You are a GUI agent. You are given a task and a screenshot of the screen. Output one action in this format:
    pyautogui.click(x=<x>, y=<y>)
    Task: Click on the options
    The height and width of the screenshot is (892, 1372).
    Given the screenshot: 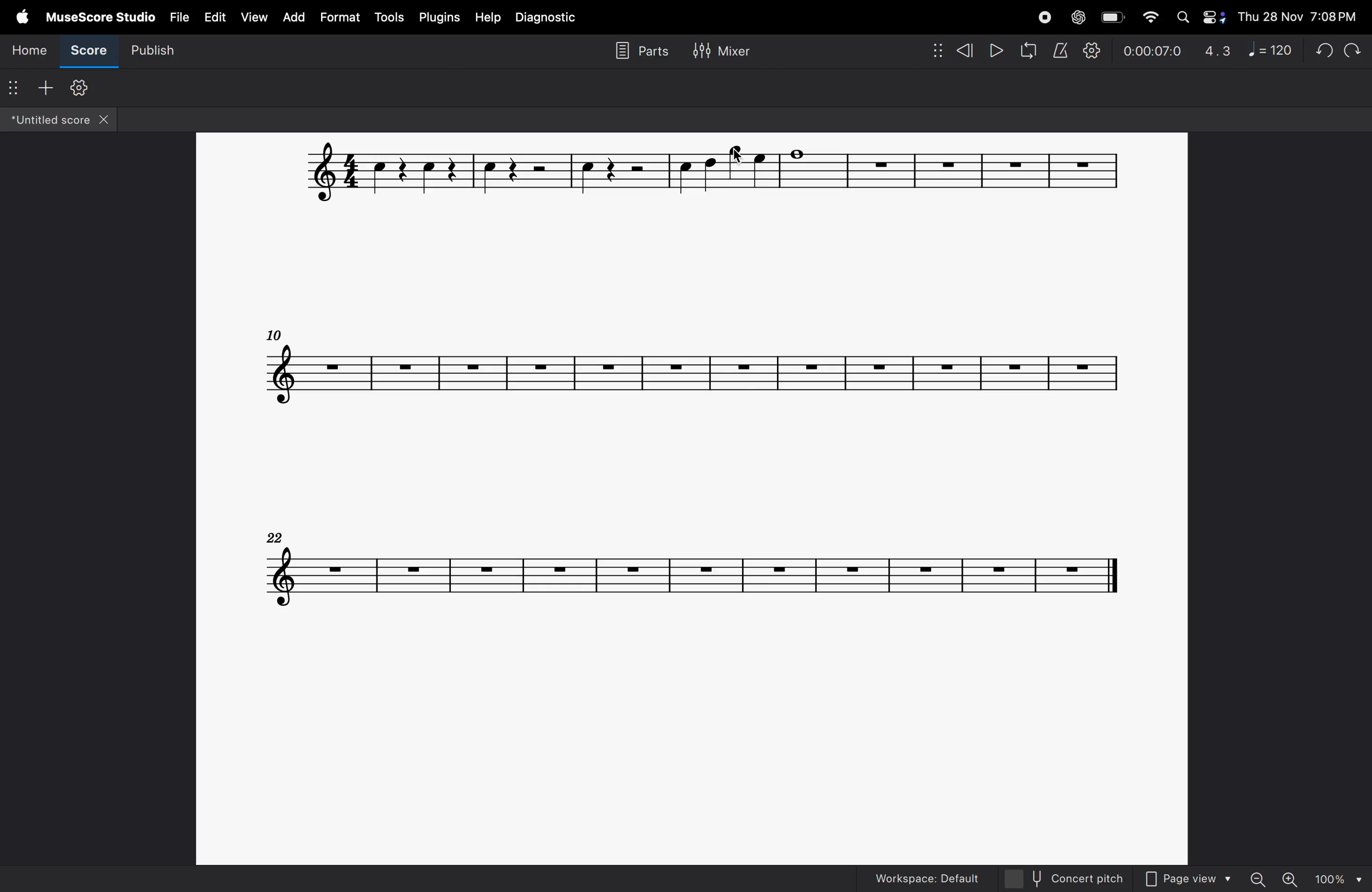 What is the action you would take?
    pyautogui.click(x=15, y=85)
    